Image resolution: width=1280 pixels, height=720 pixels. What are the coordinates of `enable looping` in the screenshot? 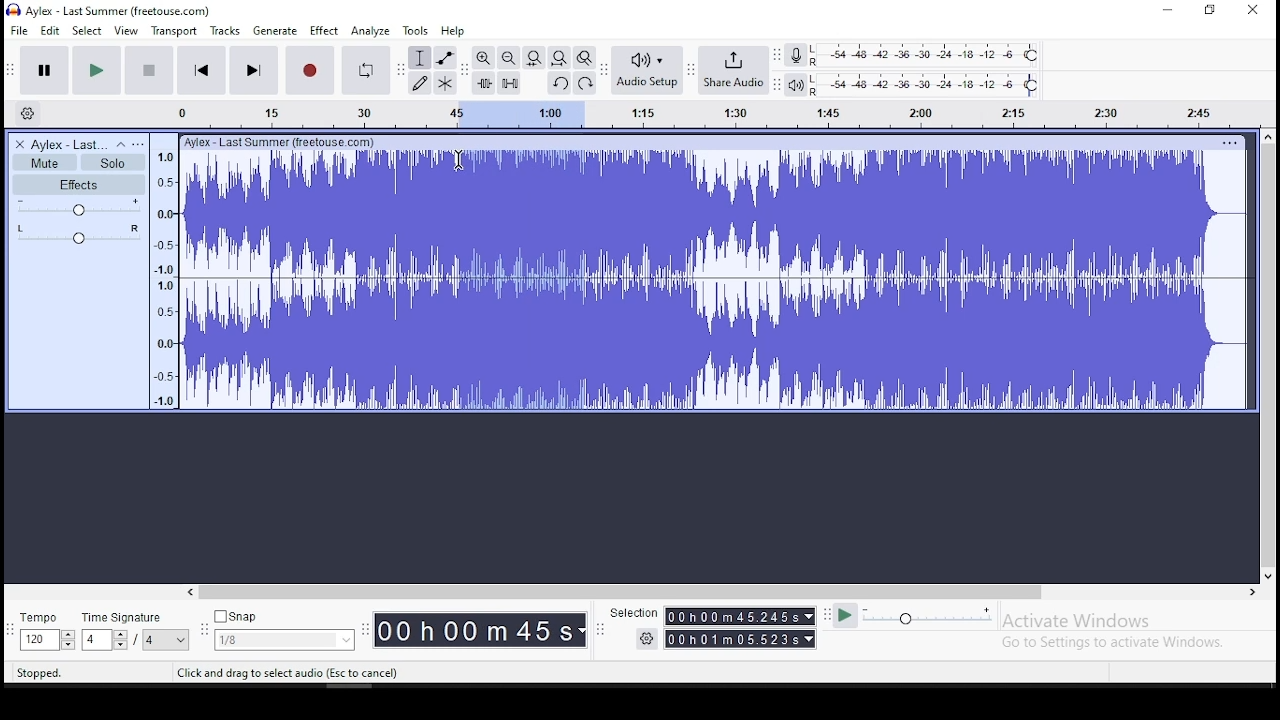 It's located at (366, 70).